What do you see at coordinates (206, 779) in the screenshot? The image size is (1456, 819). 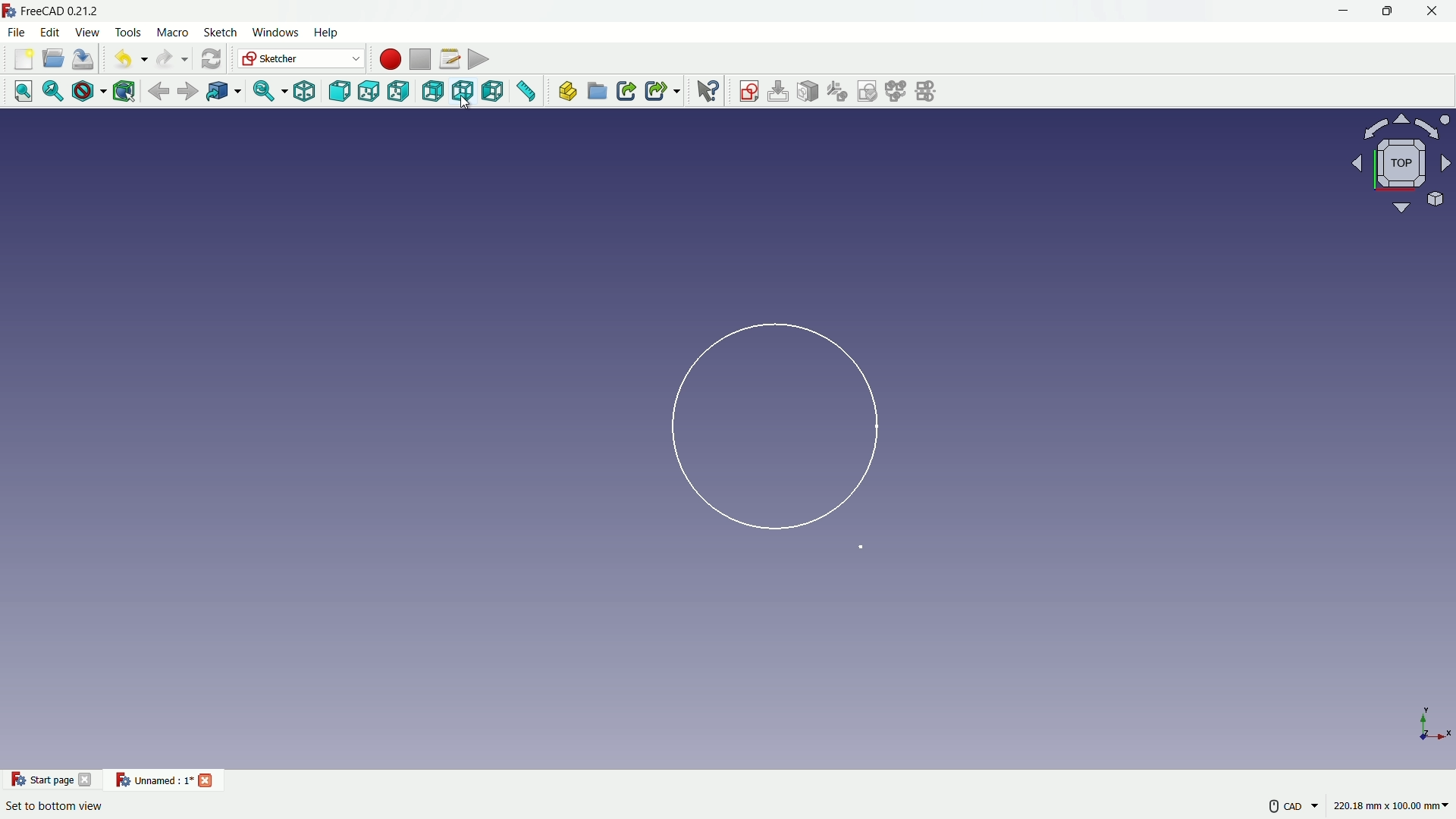 I see `close file` at bounding box center [206, 779].